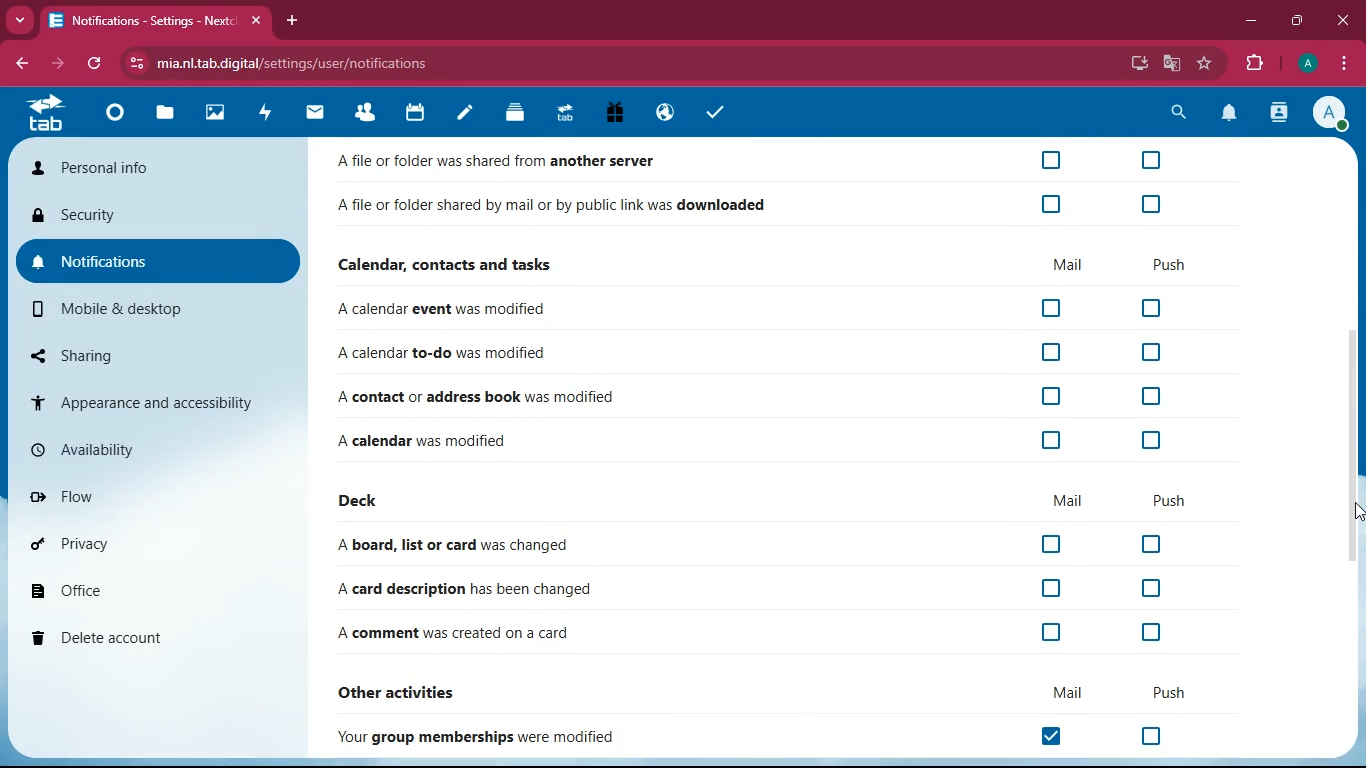 This screenshot has height=768, width=1366. What do you see at coordinates (1163, 691) in the screenshot?
I see `push` at bounding box center [1163, 691].